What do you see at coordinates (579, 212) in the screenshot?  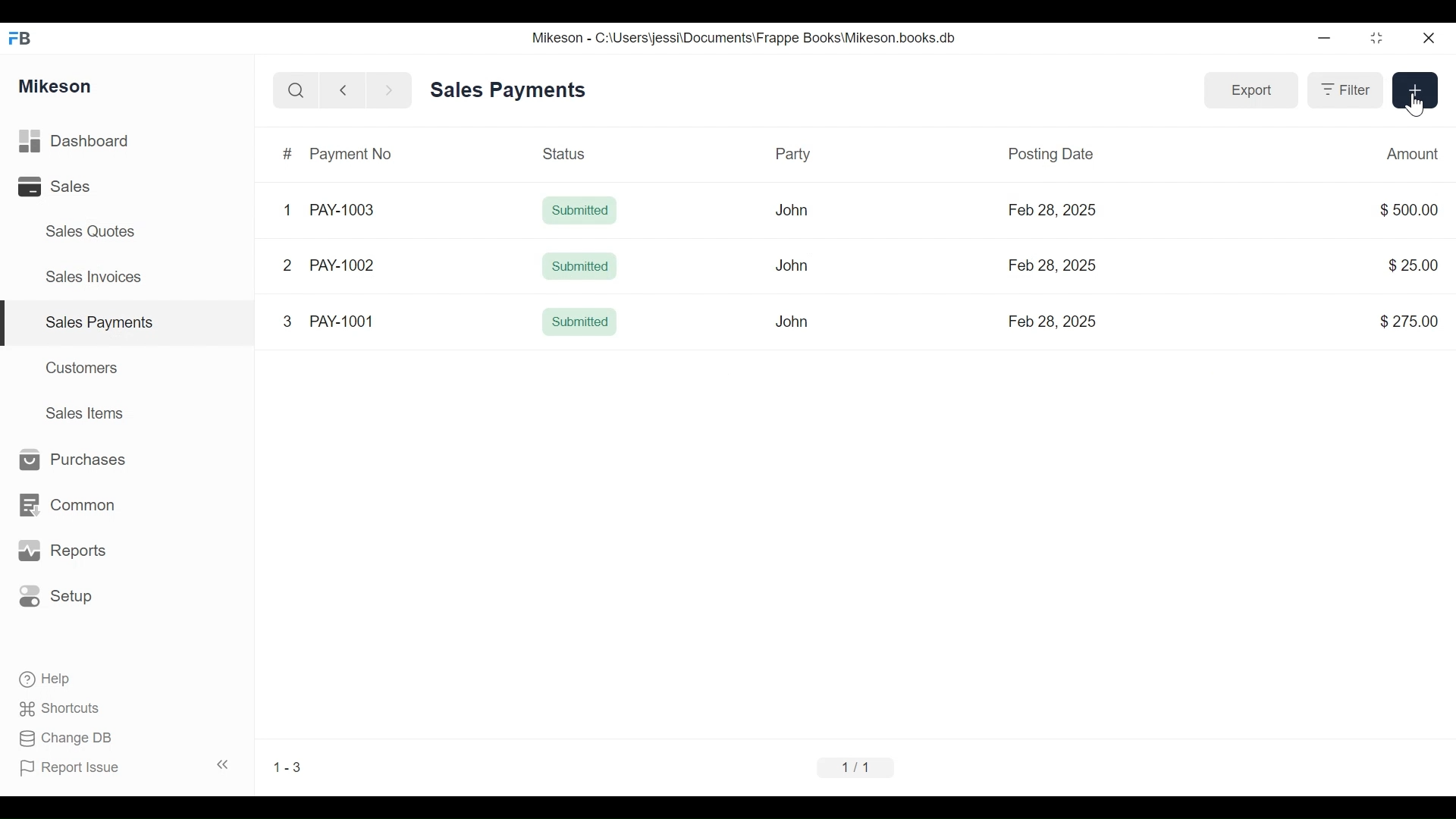 I see `Submitted` at bounding box center [579, 212].